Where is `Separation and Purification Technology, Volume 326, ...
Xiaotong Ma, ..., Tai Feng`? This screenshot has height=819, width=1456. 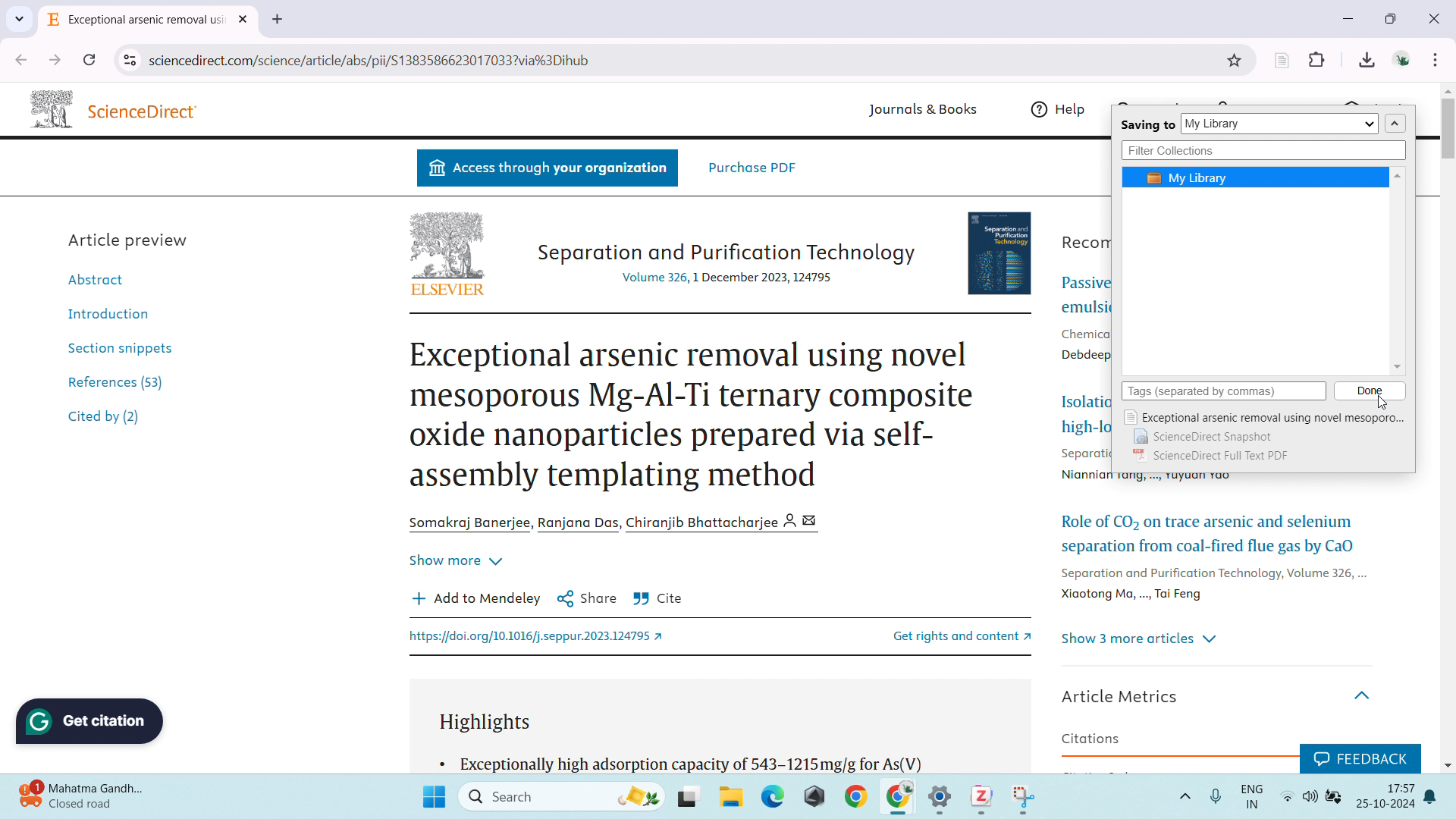
Separation and Purification Technology, Volume 326, ...
Xiaotong Ma, ..., Tai Feng is located at coordinates (1211, 585).